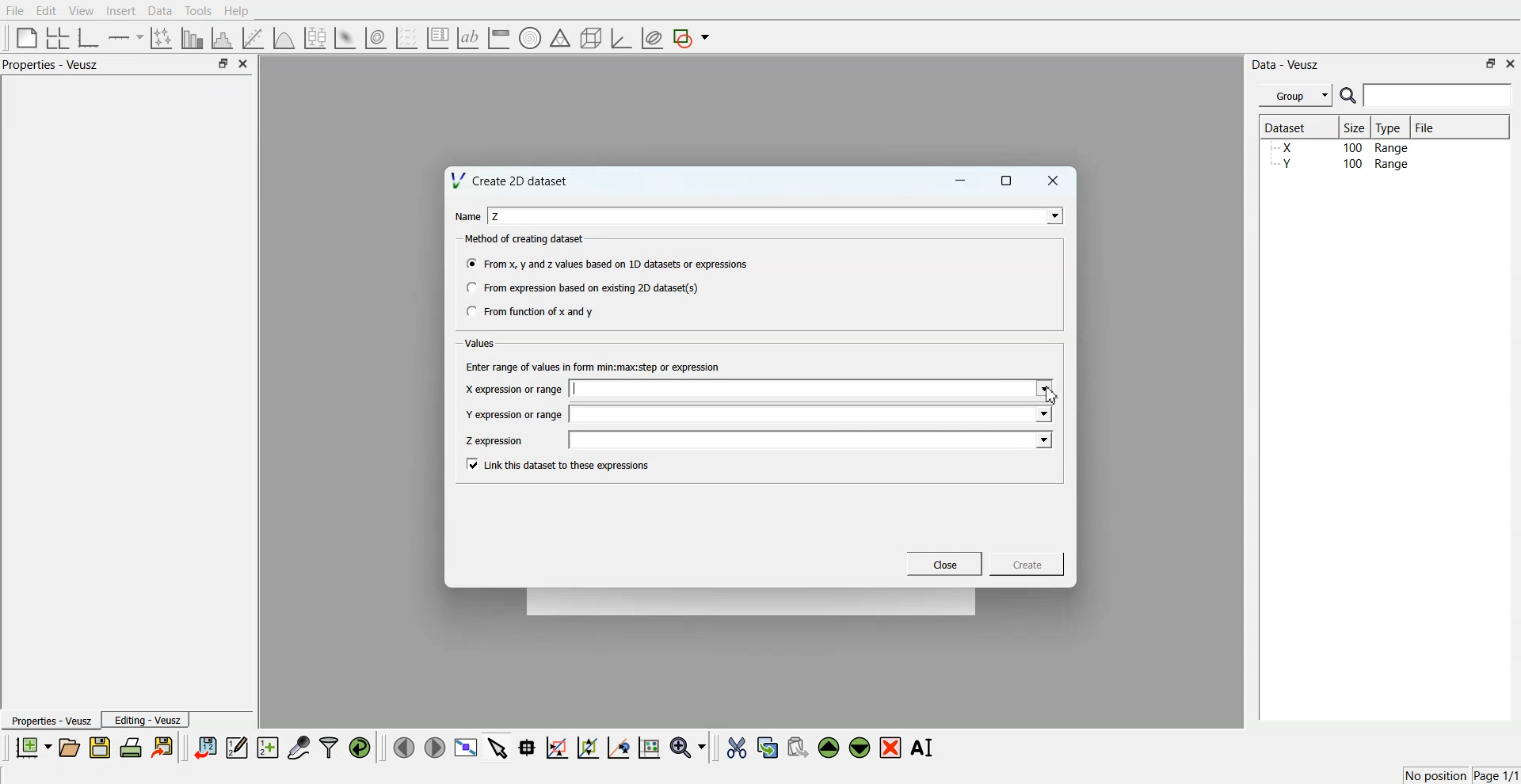 The width and height of the screenshot is (1521, 784). Describe the element at coordinates (162, 11) in the screenshot. I see `Data` at that location.